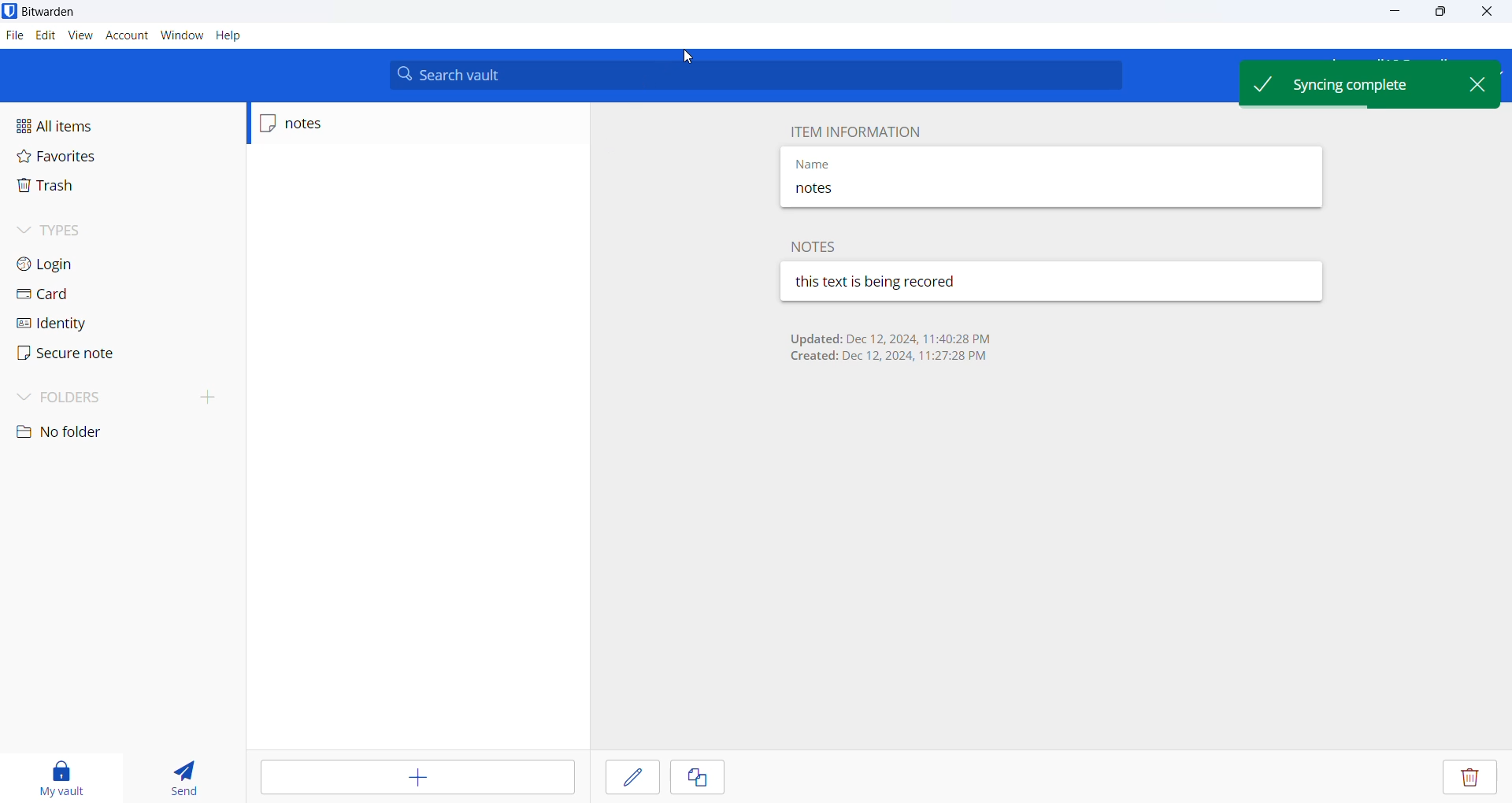  Describe the element at coordinates (72, 327) in the screenshot. I see `identity` at that location.